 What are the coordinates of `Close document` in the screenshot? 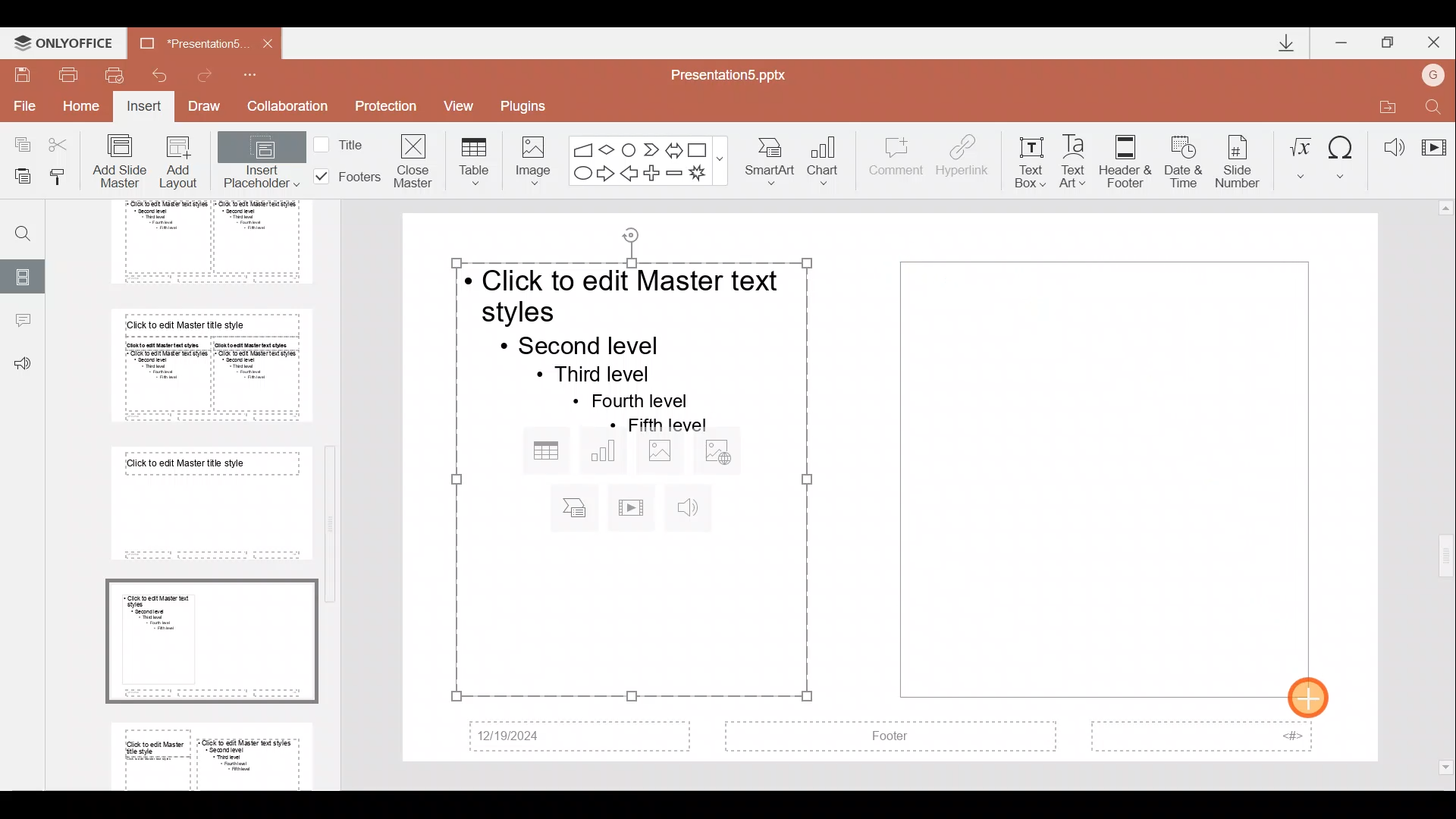 It's located at (263, 42).